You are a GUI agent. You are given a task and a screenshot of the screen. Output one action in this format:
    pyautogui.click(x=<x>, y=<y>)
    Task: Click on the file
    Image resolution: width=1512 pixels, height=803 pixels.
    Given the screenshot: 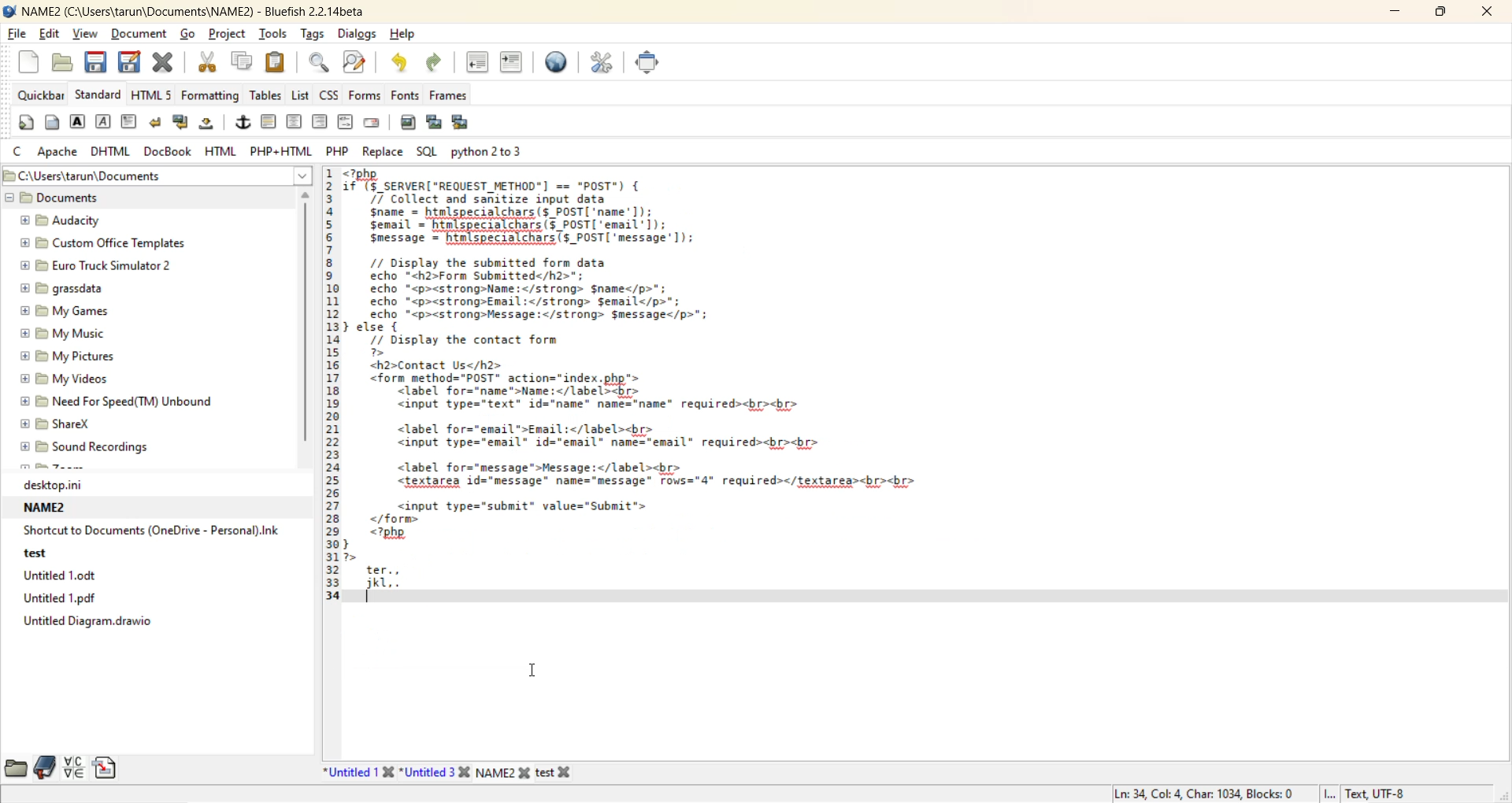 What is the action you would take?
    pyautogui.click(x=17, y=33)
    